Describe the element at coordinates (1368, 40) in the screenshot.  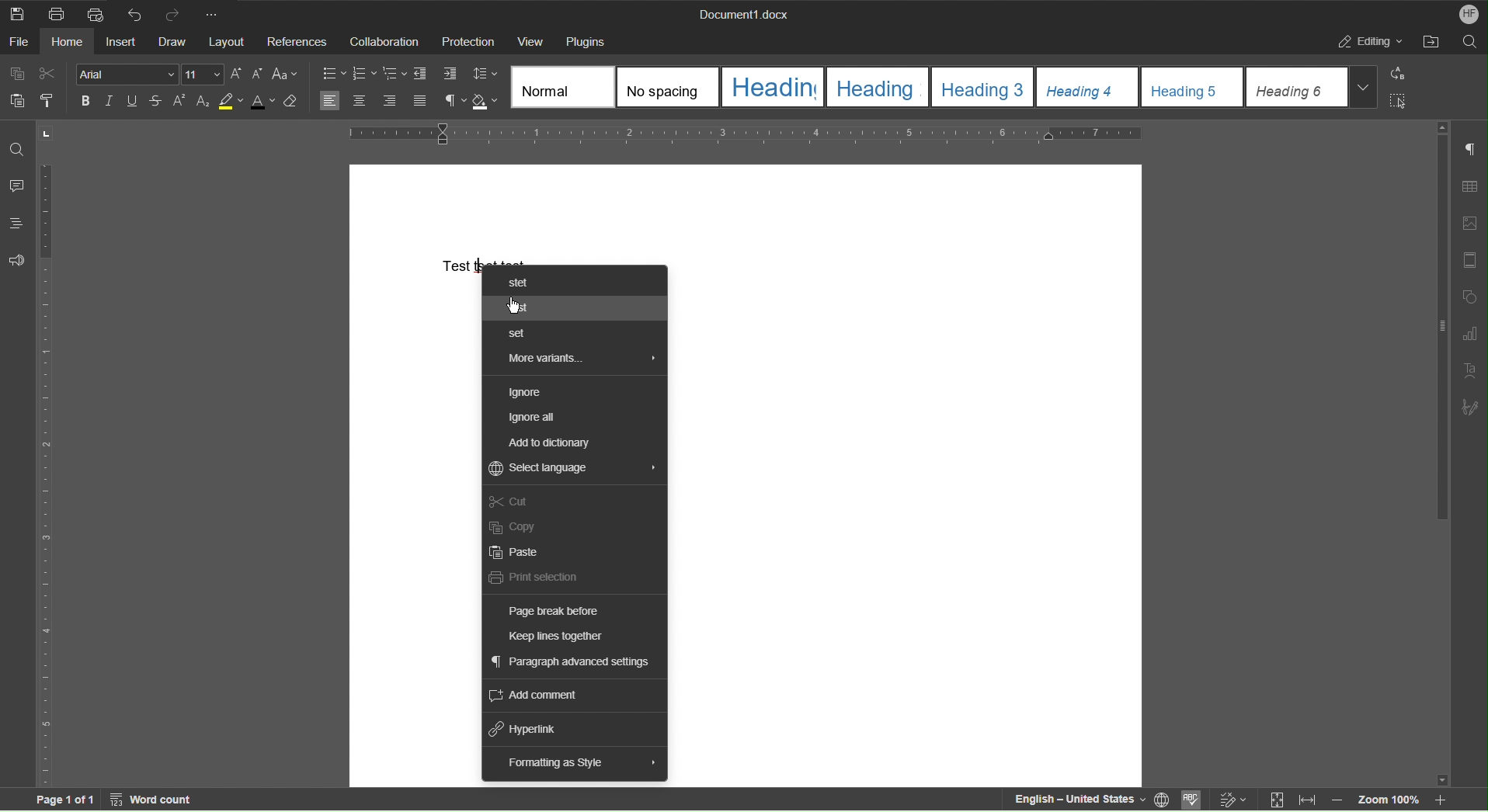
I see `Editing` at that location.